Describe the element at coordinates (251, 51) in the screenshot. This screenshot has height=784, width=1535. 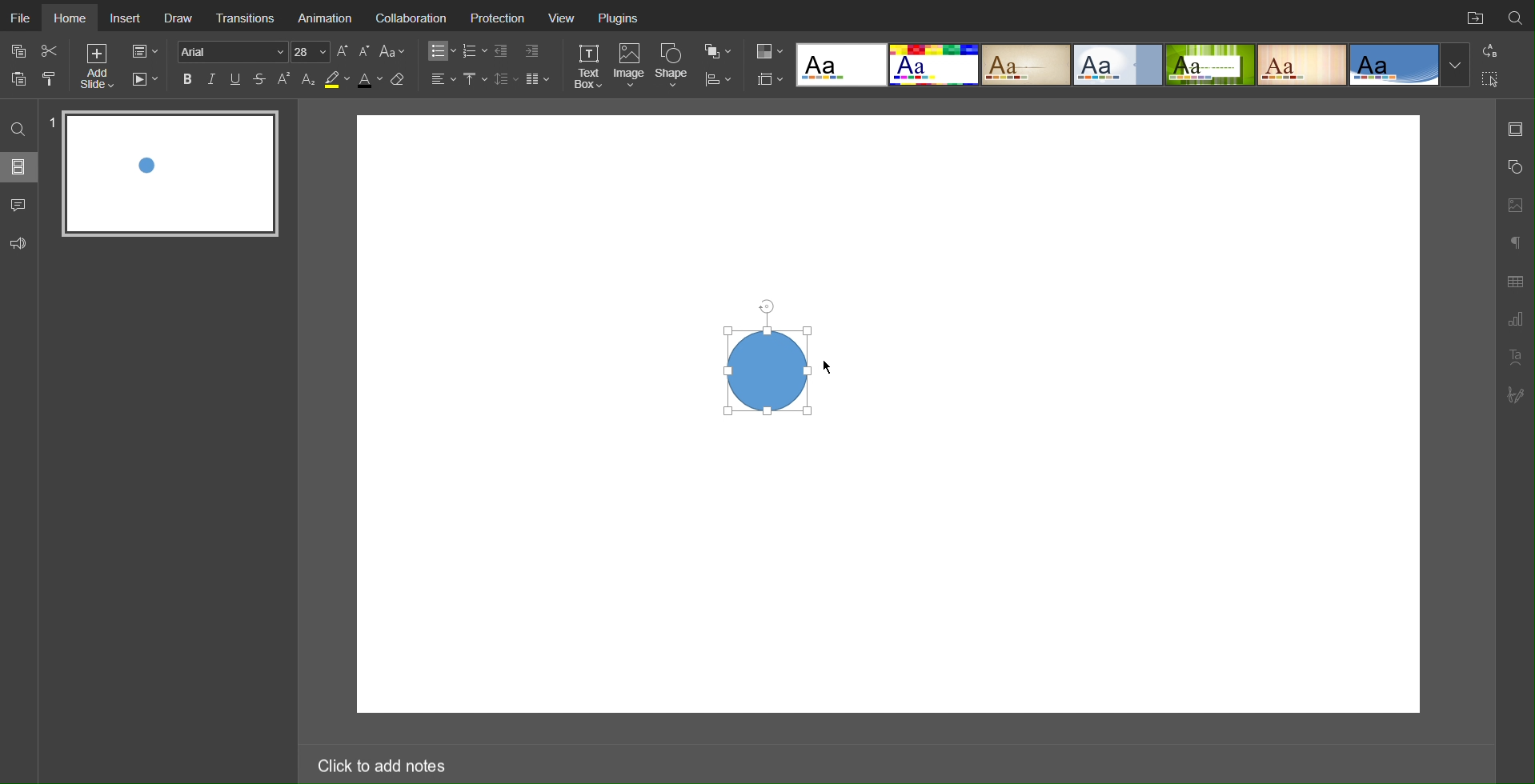
I see `Font Settings` at that location.